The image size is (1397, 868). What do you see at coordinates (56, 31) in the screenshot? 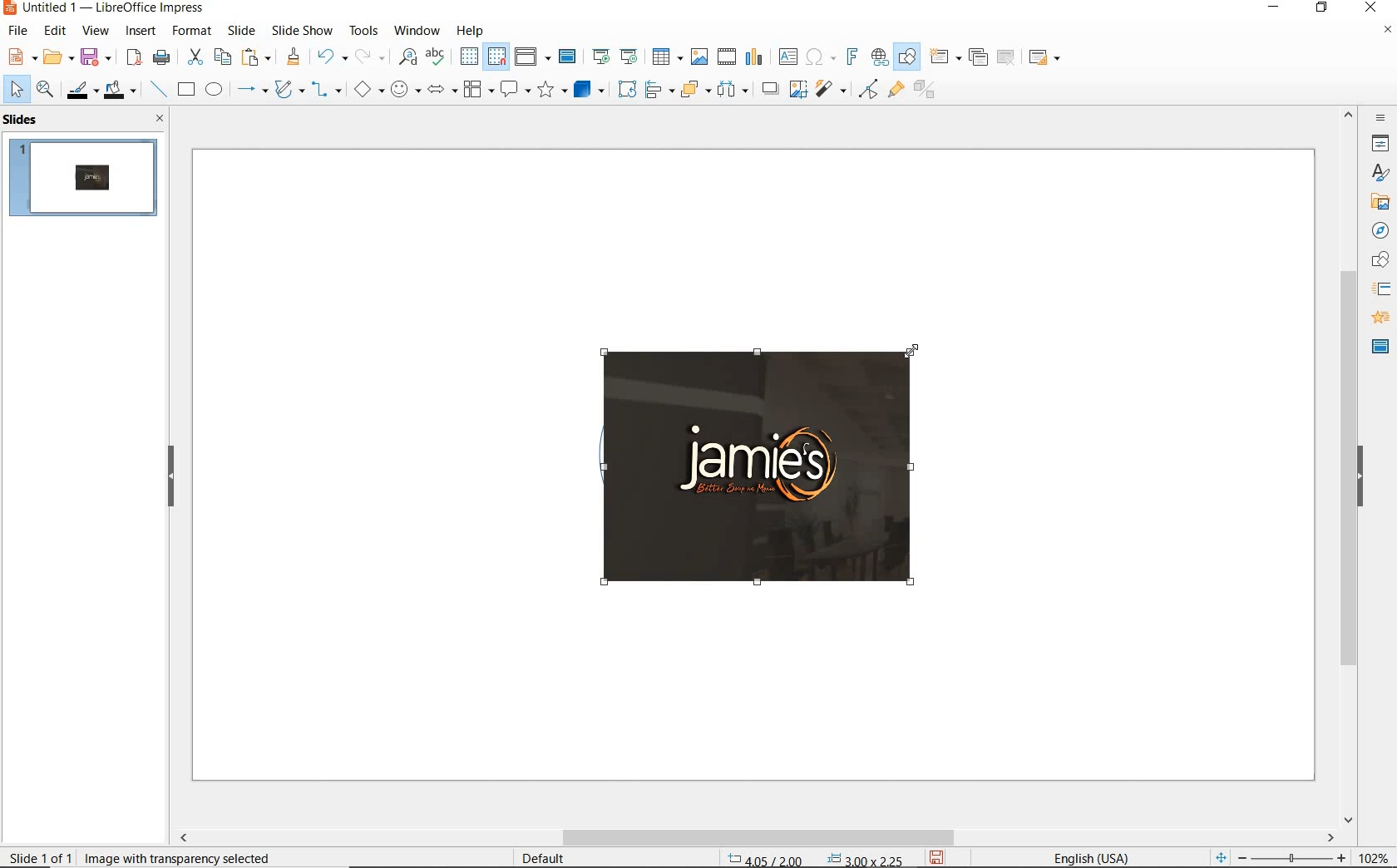
I see `edit` at bounding box center [56, 31].